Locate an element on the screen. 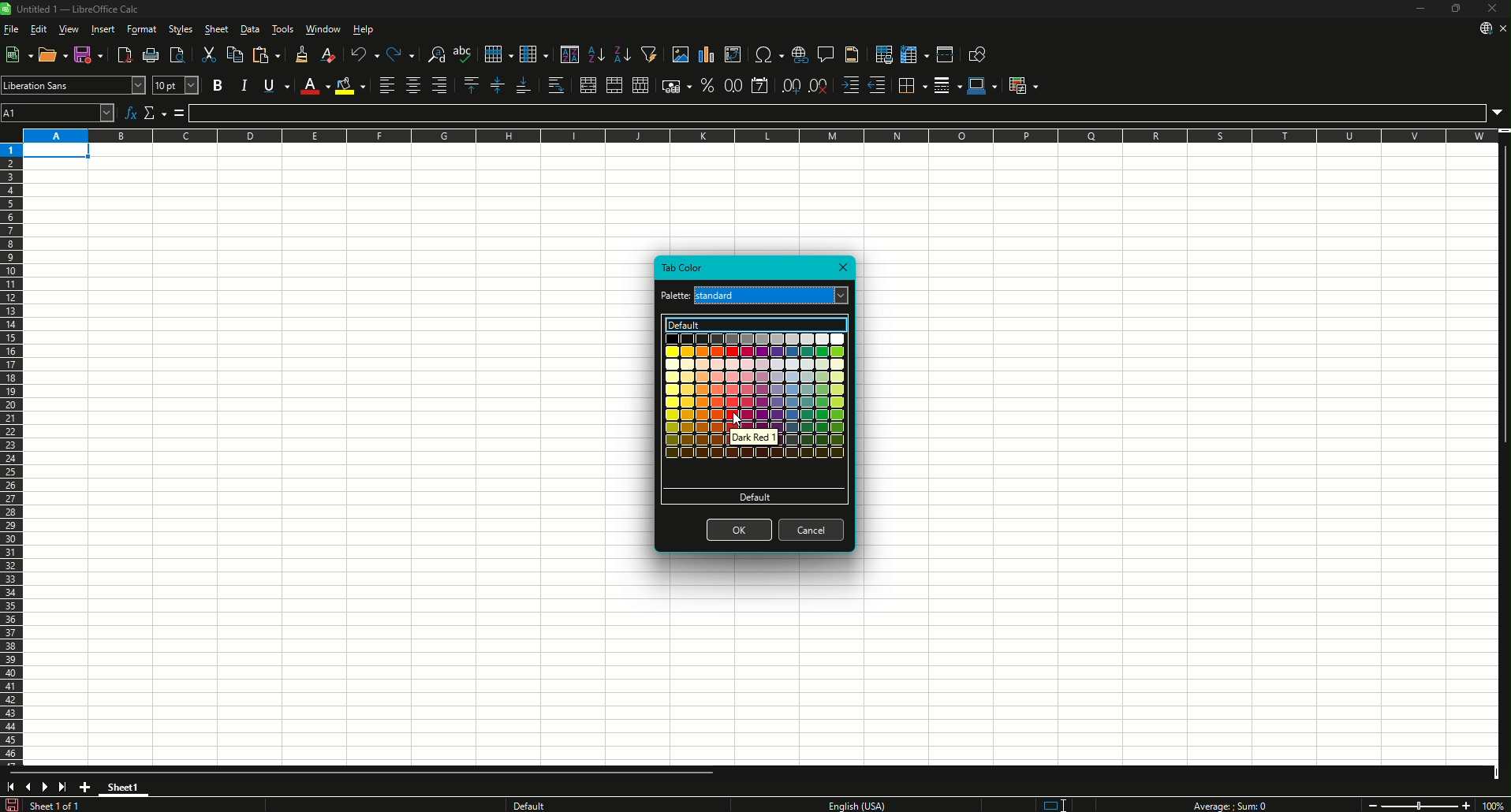  Borders is located at coordinates (912, 86).